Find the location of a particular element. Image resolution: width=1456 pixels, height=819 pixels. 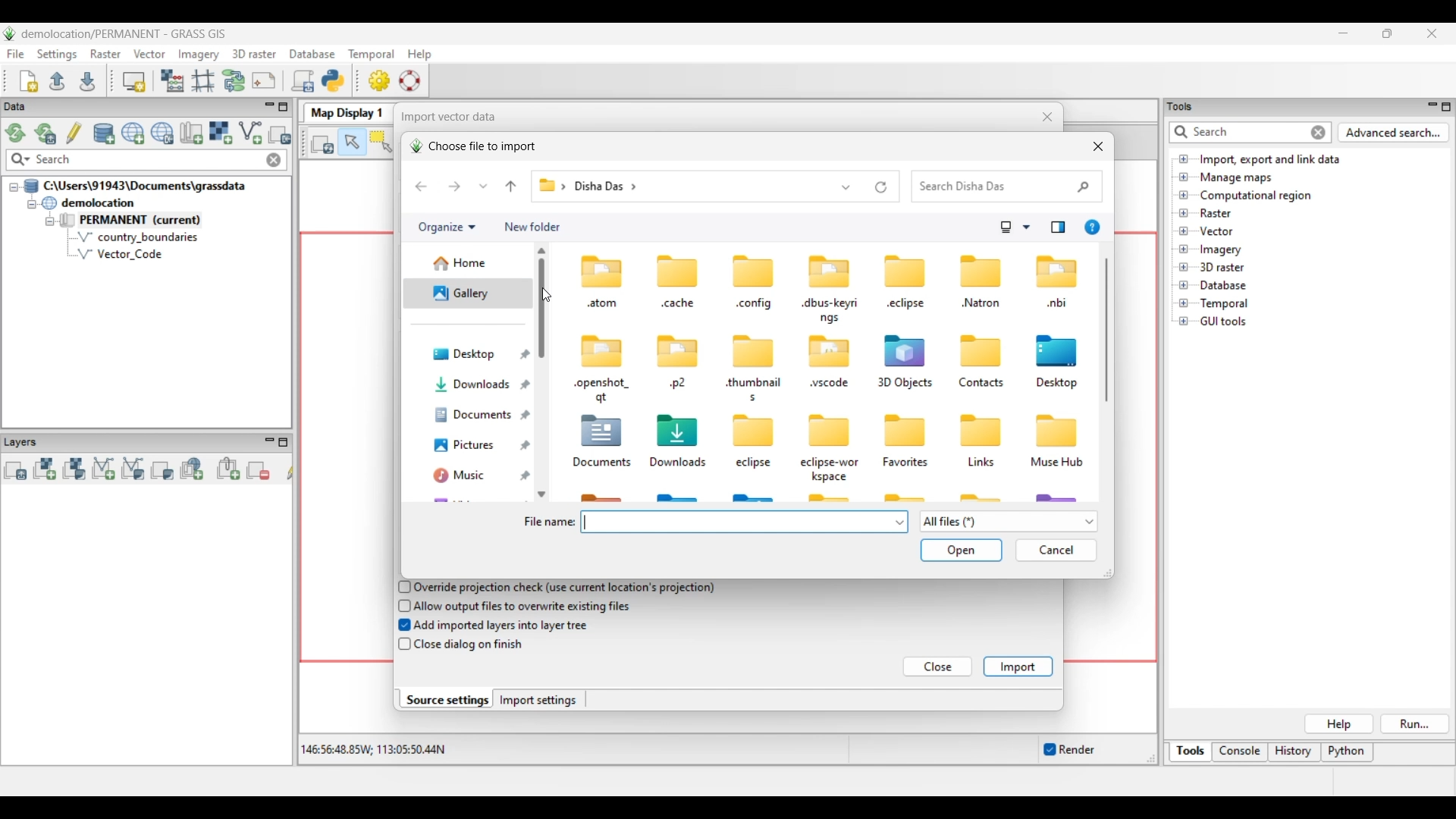

3D raster menu is located at coordinates (254, 53).